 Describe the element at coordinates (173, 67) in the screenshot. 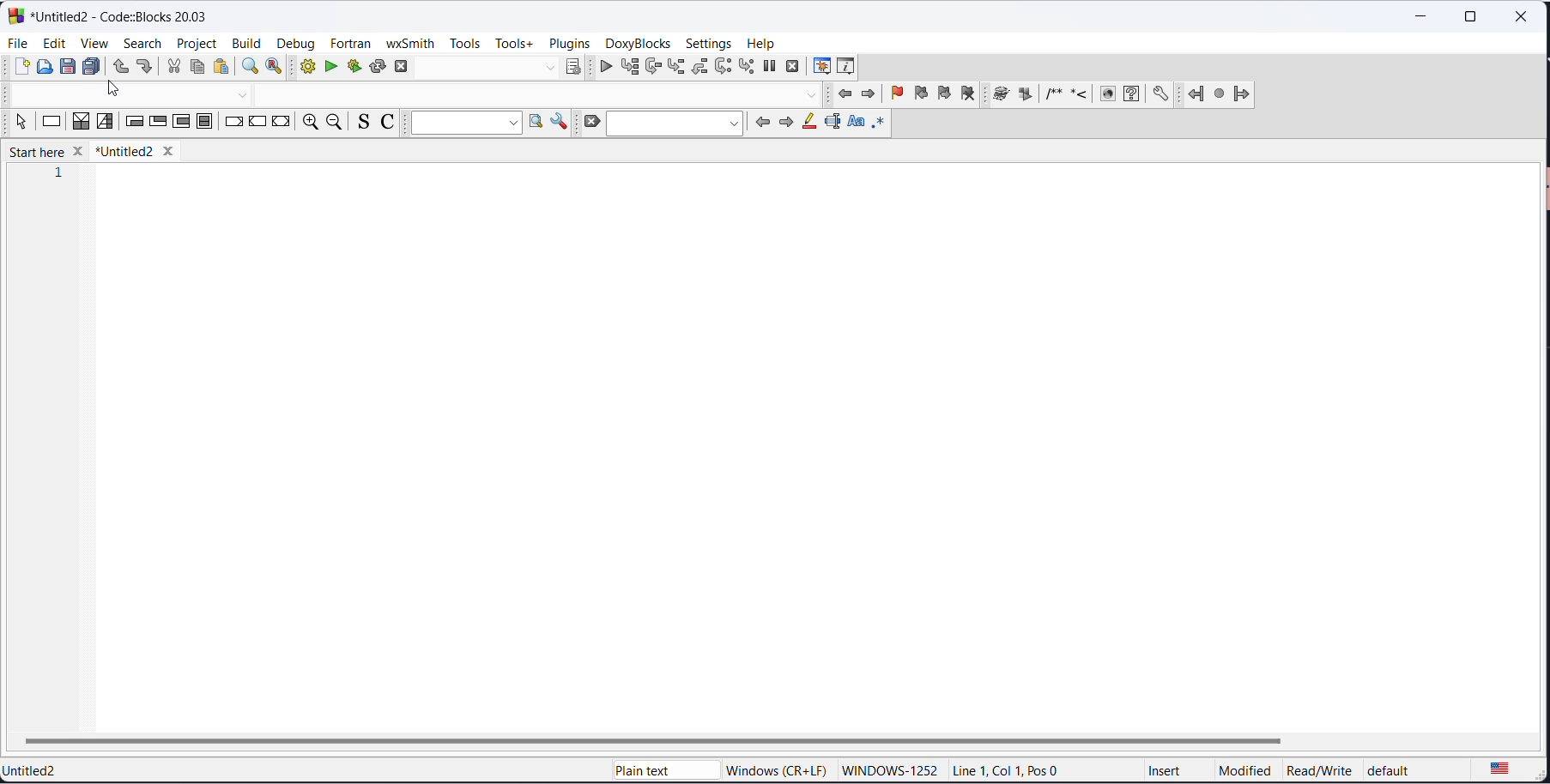

I see `cut` at that location.